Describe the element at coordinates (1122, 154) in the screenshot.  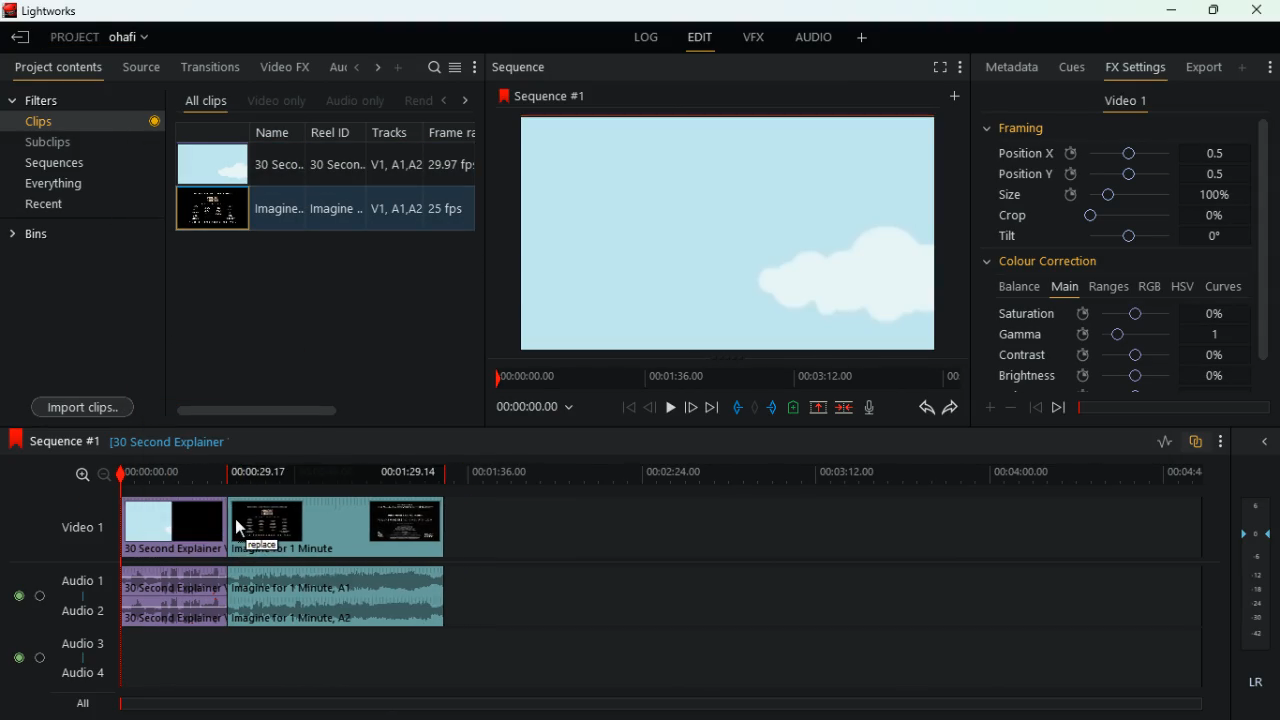
I see `position x` at that location.